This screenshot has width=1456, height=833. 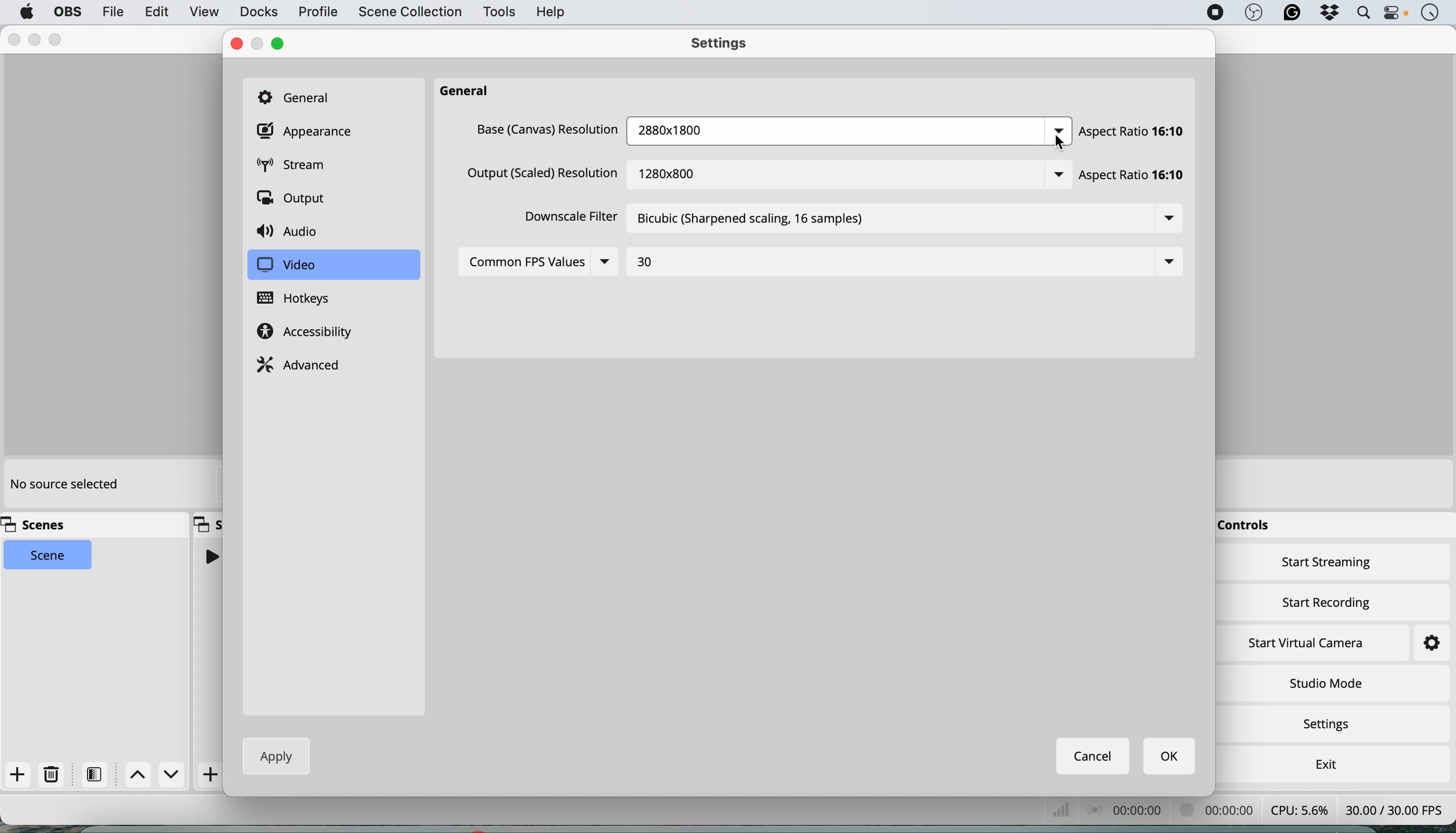 What do you see at coordinates (409, 13) in the screenshot?
I see `scene collection` at bounding box center [409, 13].